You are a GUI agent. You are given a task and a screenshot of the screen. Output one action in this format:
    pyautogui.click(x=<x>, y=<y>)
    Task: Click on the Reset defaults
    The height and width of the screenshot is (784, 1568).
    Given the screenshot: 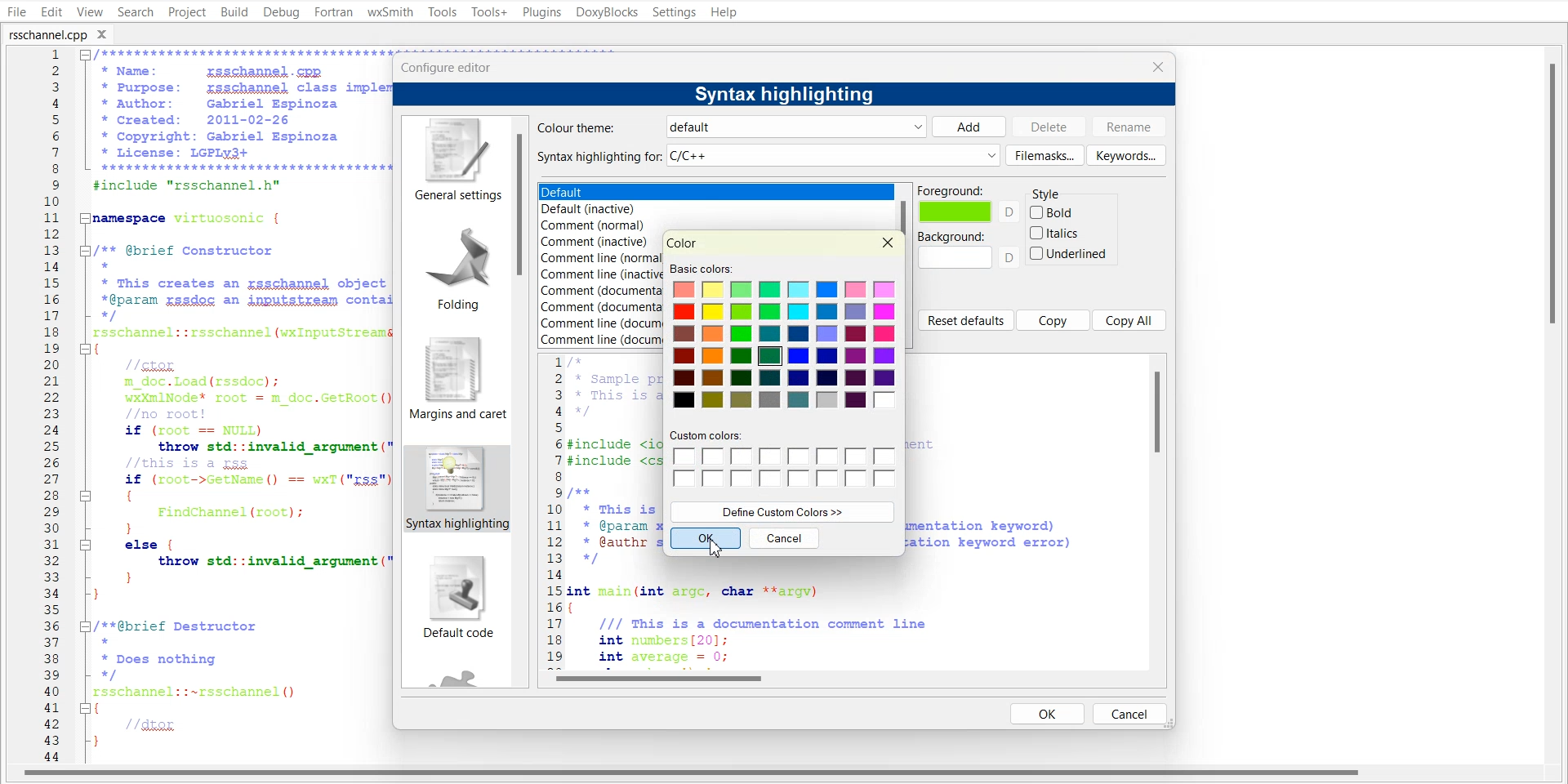 What is the action you would take?
    pyautogui.click(x=965, y=320)
    